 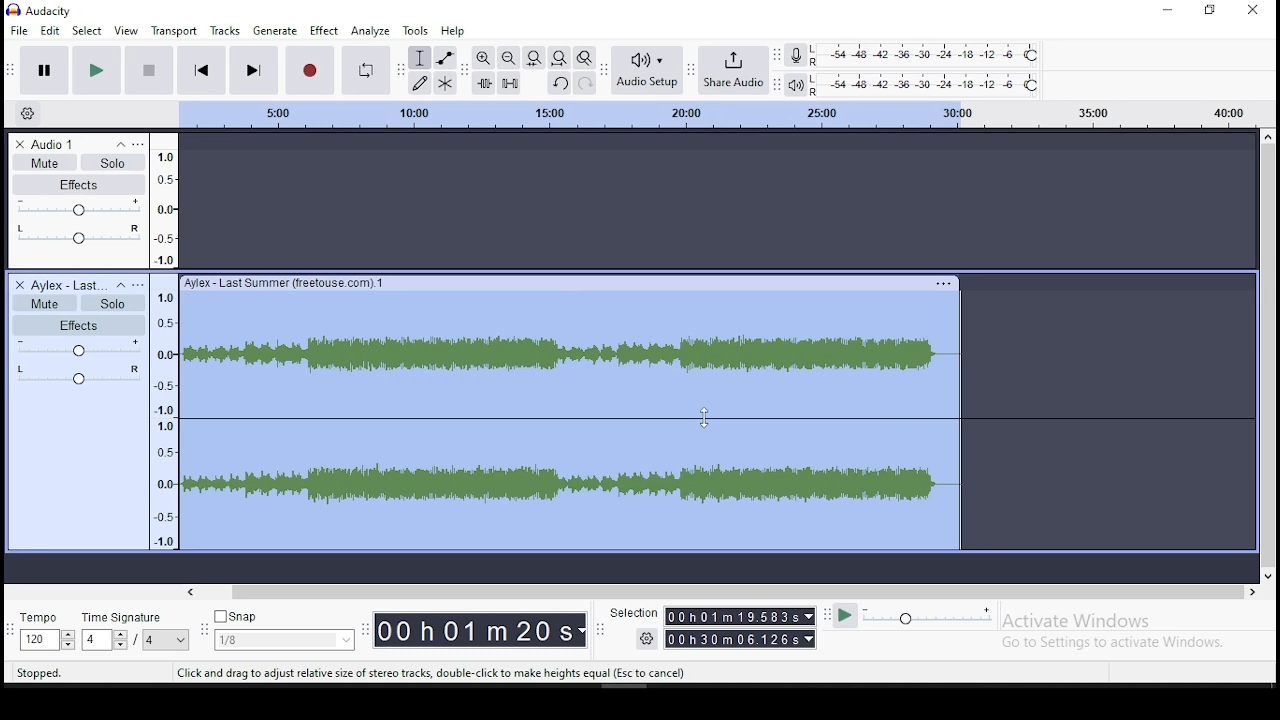 What do you see at coordinates (16, 284) in the screenshot?
I see `delete track` at bounding box center [16, 284].